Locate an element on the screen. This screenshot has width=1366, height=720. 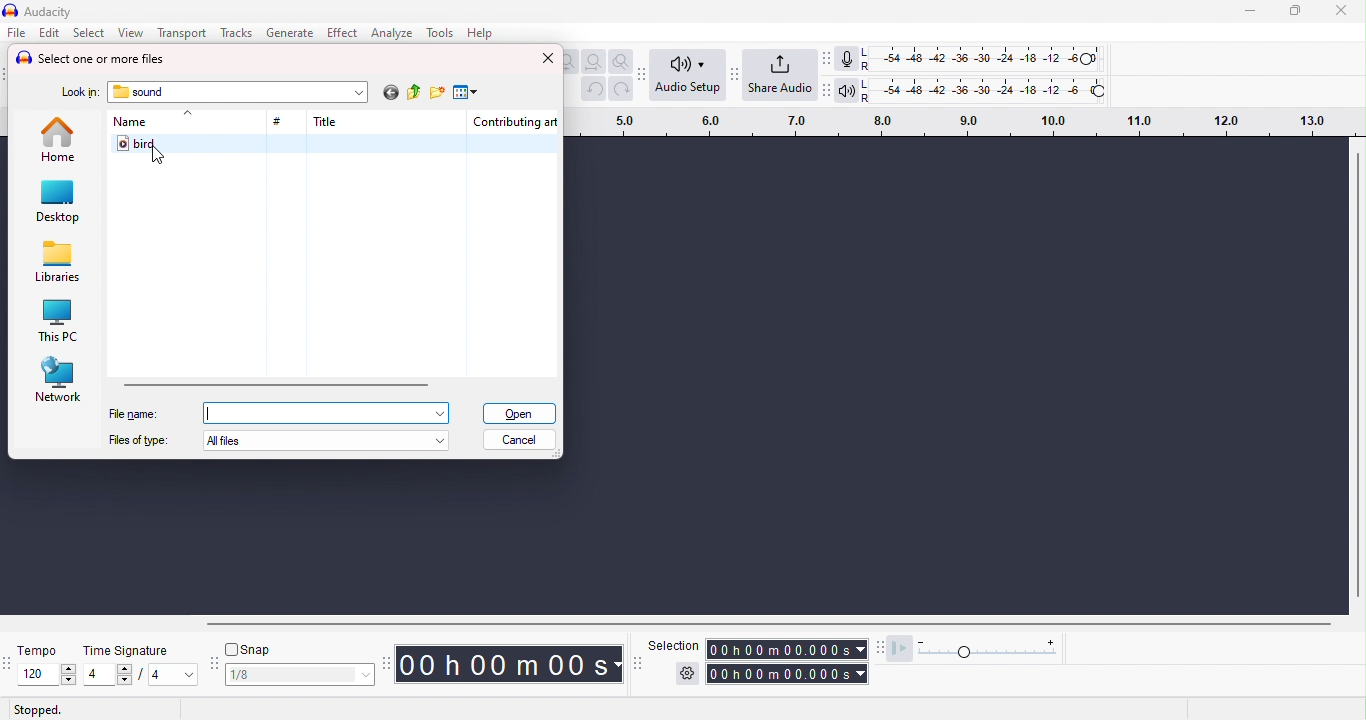
file is located at coordinates (17, 32).